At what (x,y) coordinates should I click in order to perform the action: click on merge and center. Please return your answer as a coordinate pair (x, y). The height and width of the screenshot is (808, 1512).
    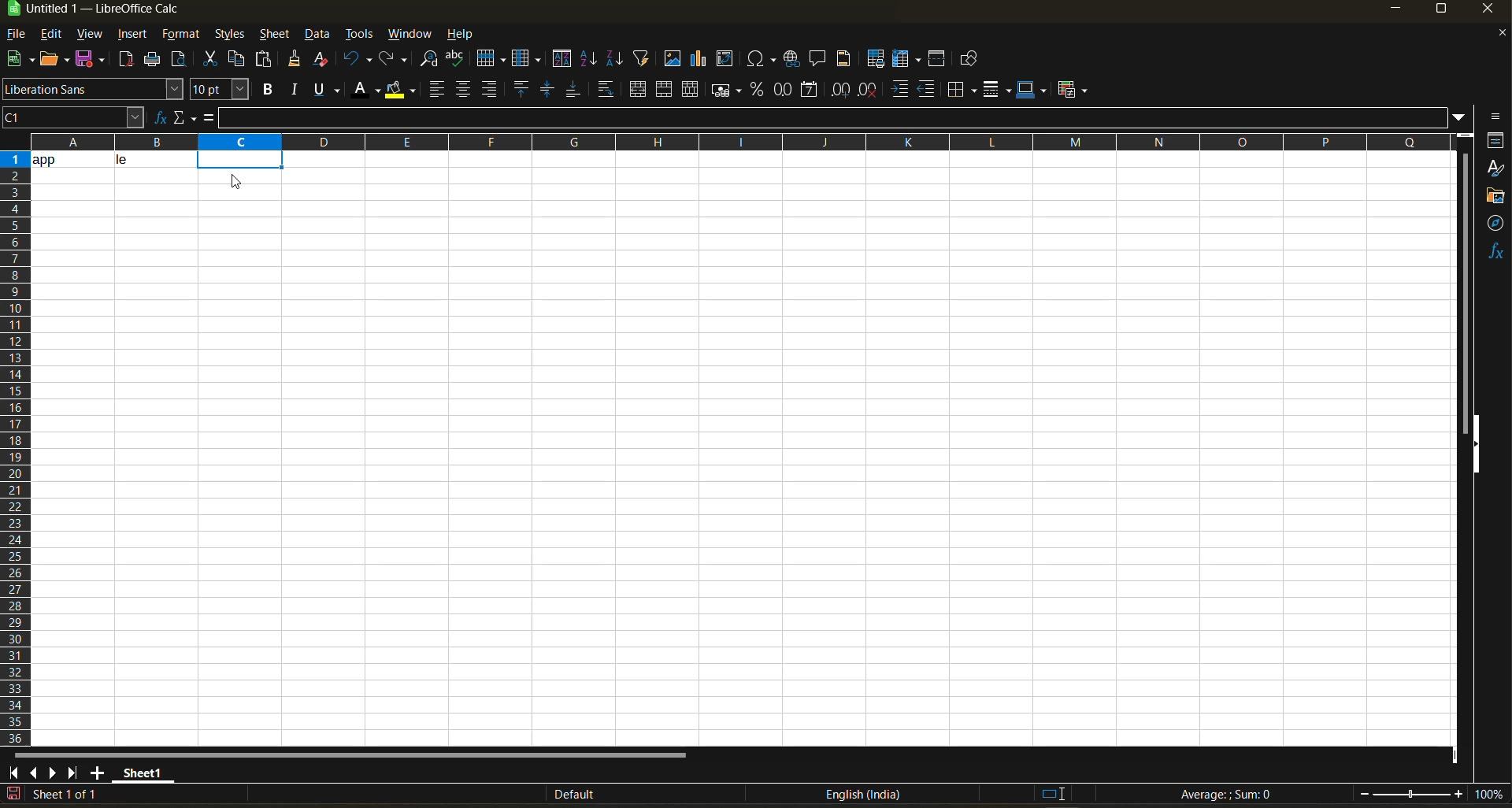
    Looking at the image, I should click on (638, 91).